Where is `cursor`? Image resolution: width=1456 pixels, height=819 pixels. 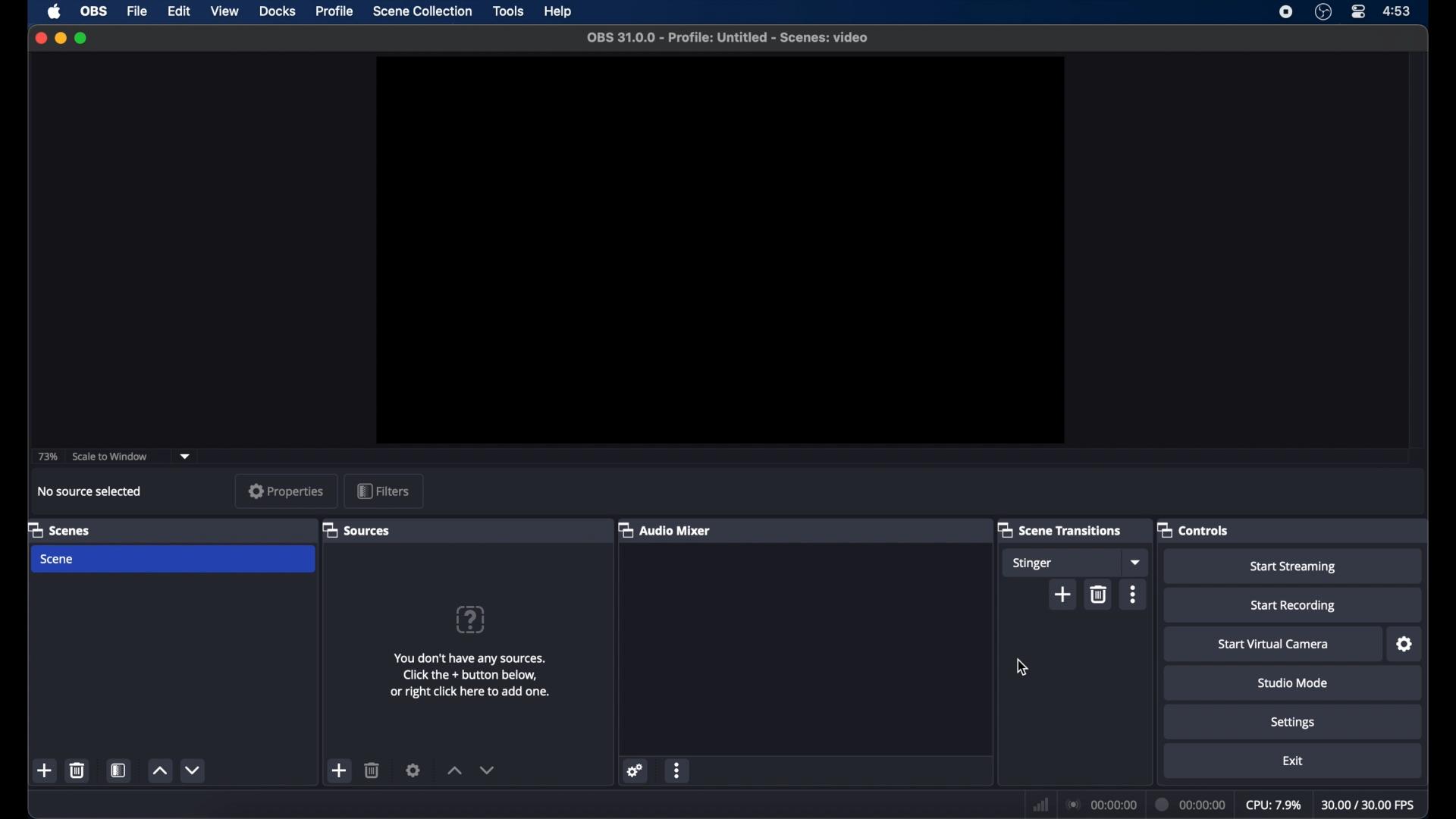
cursor is located at coordinates (1021, 667).